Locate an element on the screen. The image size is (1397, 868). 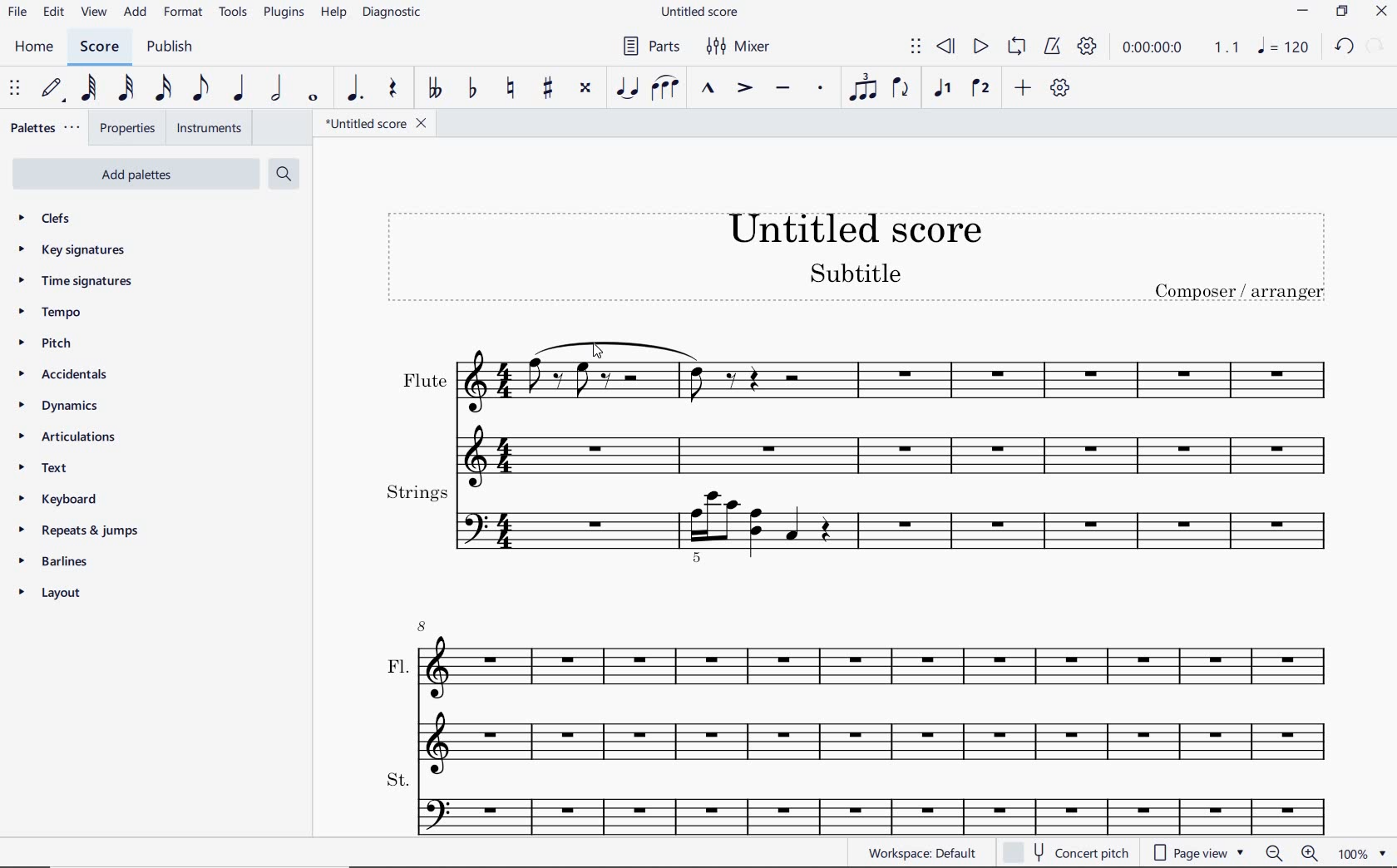
DIAGNOSTIC is located at coordinates (398, 13).